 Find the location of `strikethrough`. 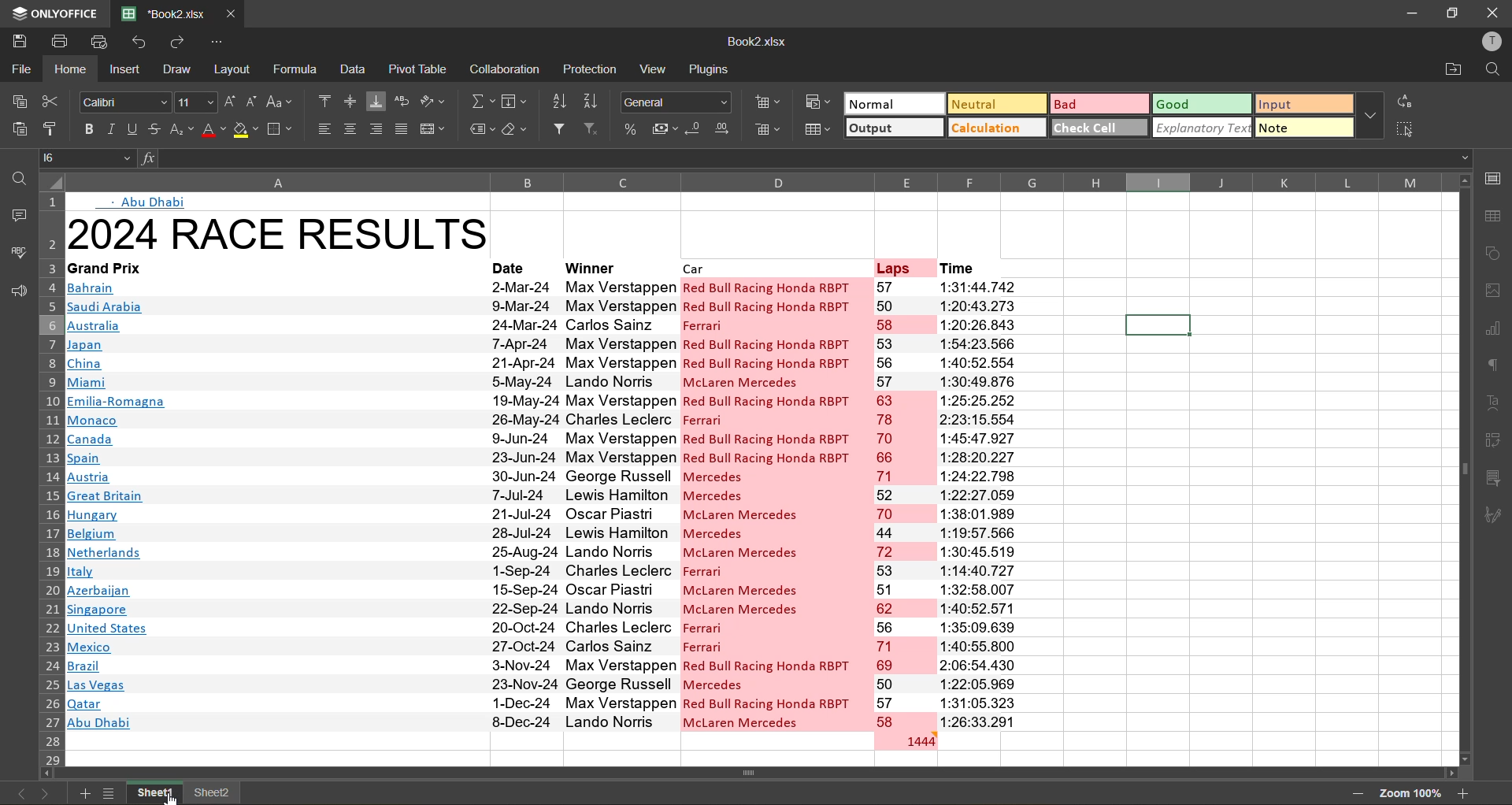

strikethrough is located at coordinates (151, 129).